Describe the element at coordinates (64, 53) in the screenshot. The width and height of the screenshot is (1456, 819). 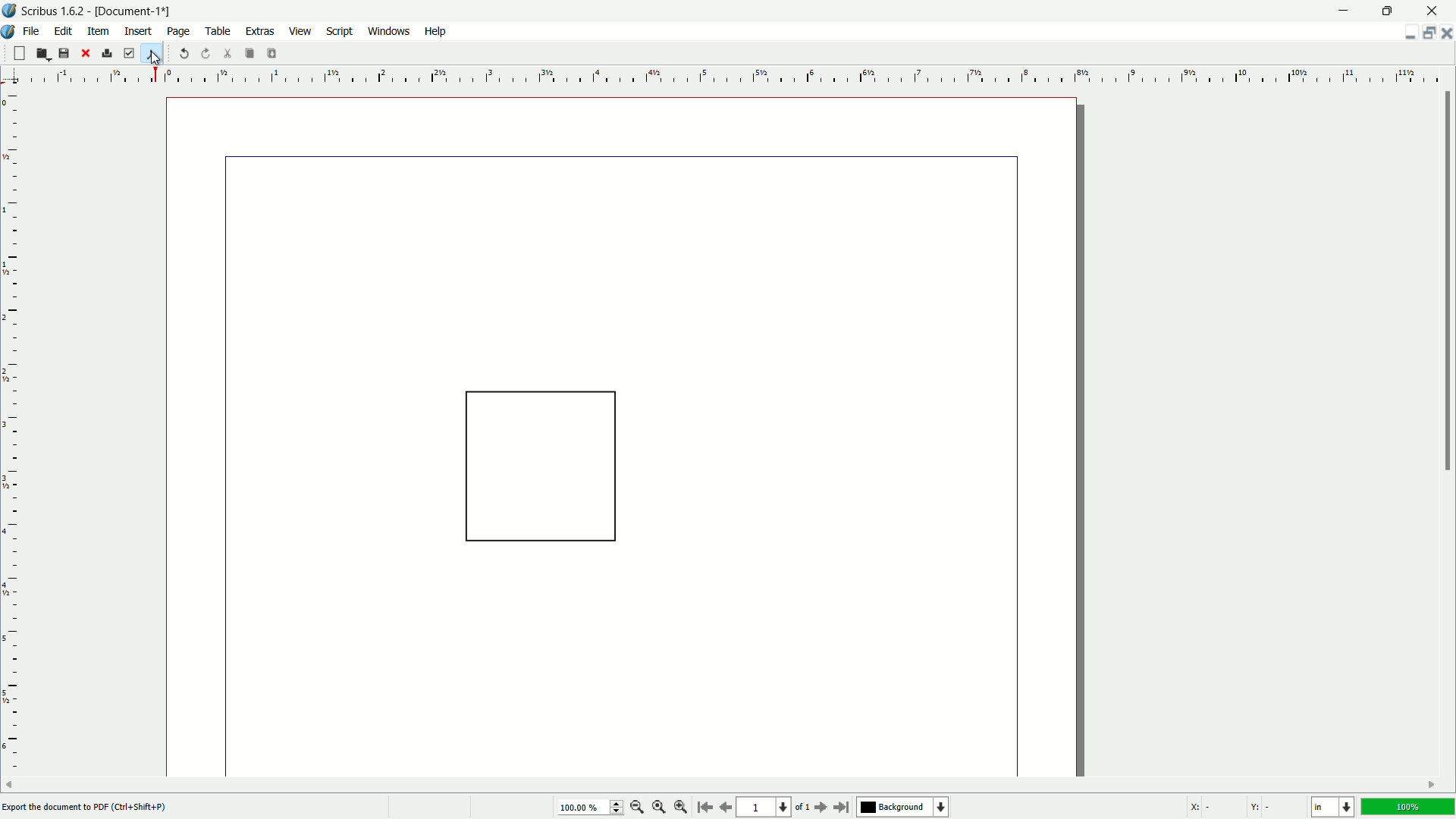
I see `save` at that location.